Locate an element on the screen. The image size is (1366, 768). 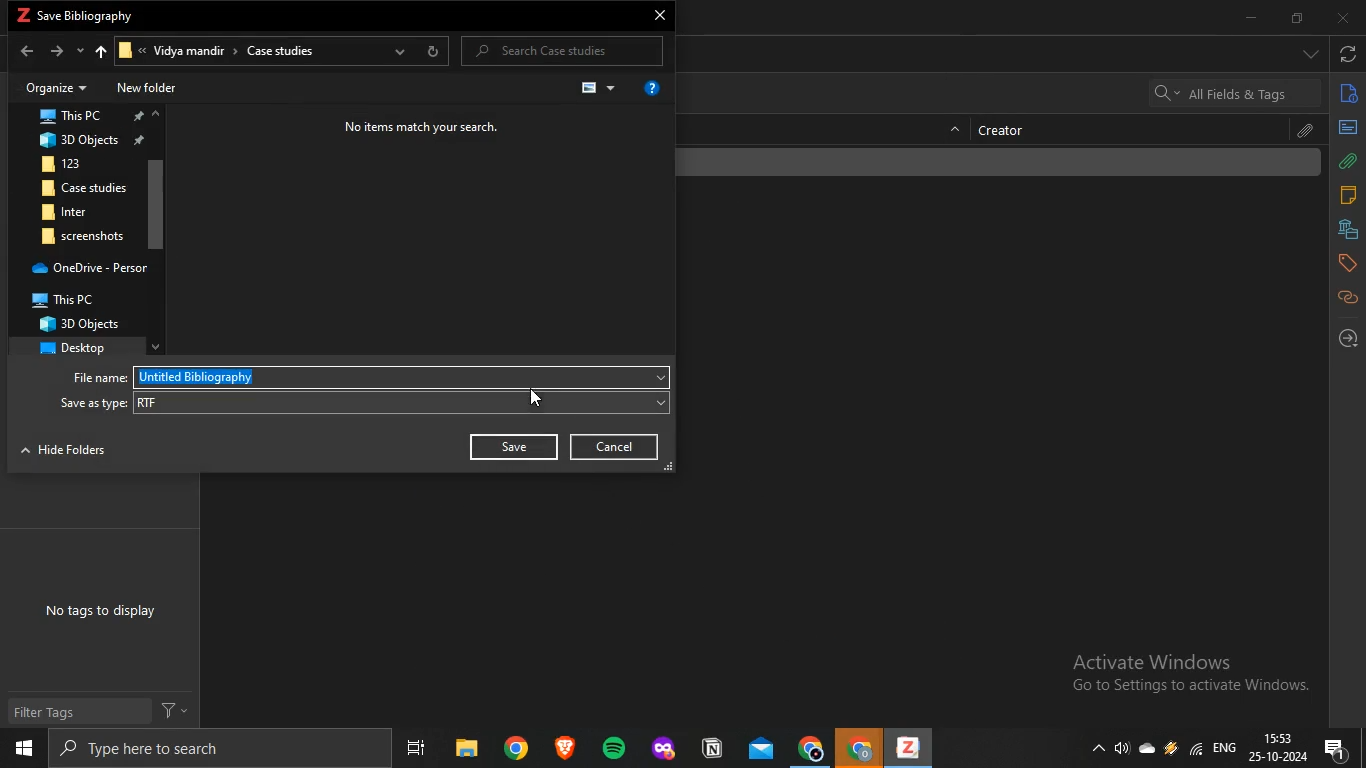
? This PC is located at coordinates (80, 300).